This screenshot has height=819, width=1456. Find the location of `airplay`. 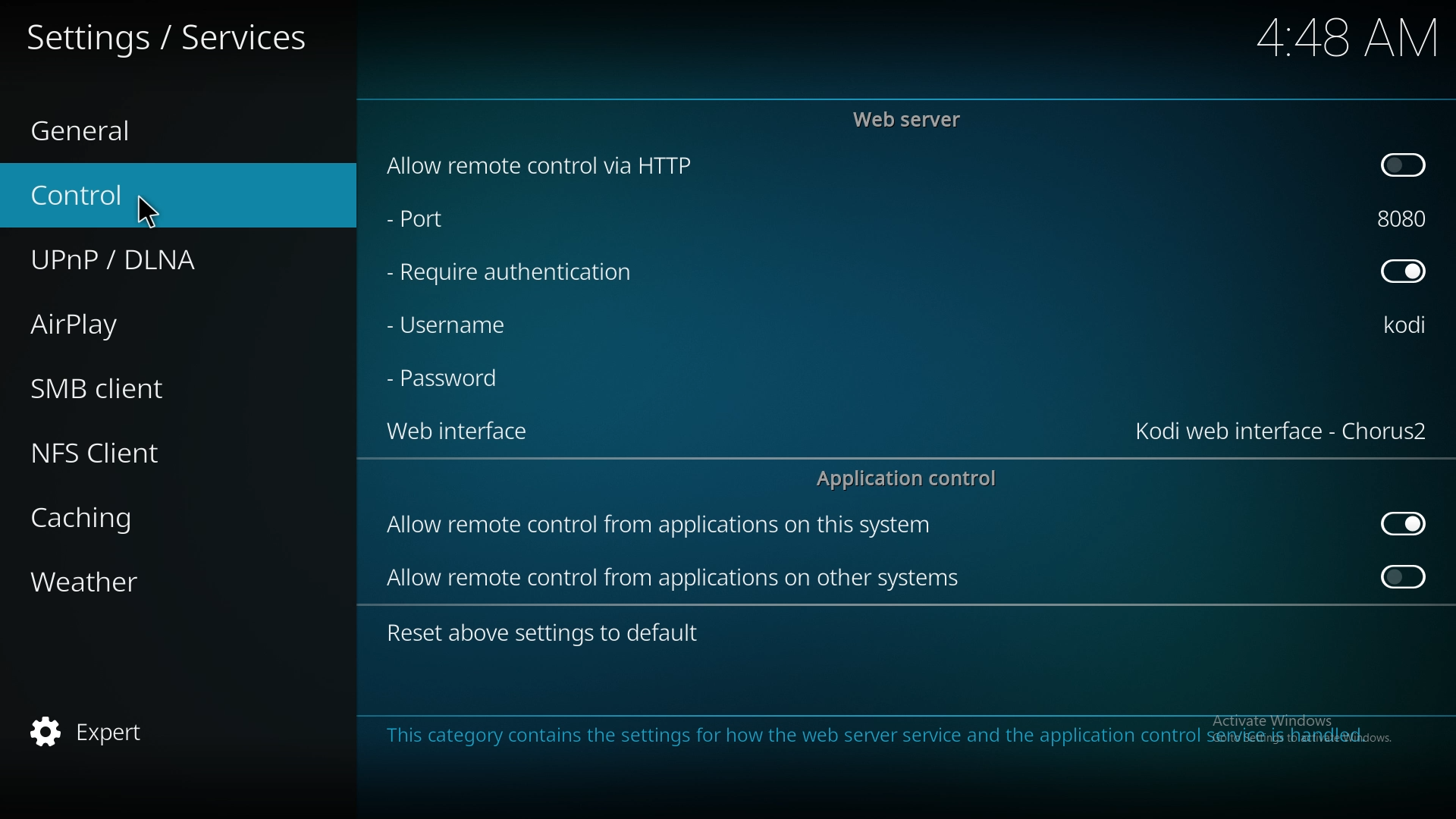

airplay is located at coordinates (114, 326).